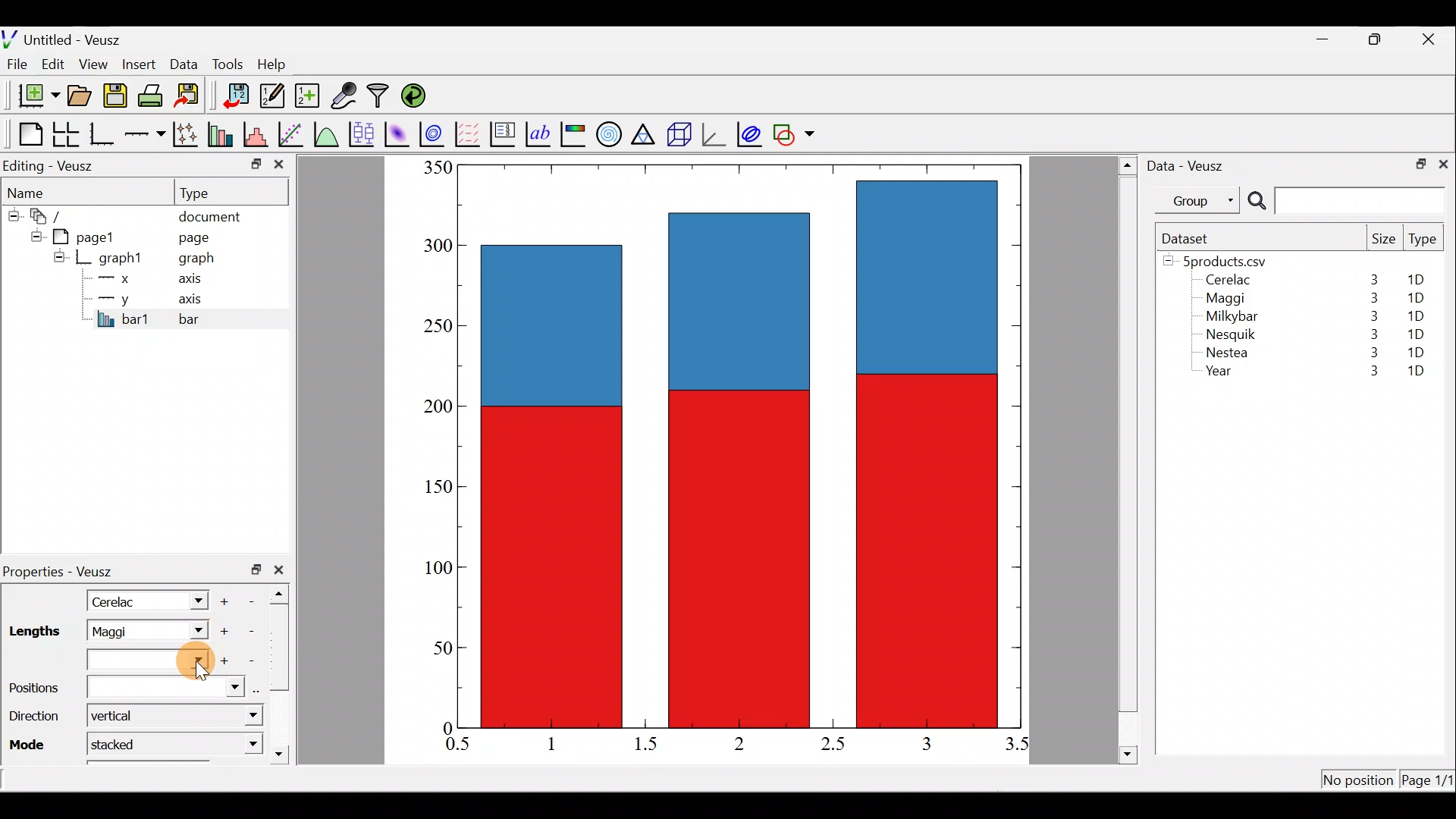 The image size is (1456, 819). I want to click on Group, so click(1200, 199).